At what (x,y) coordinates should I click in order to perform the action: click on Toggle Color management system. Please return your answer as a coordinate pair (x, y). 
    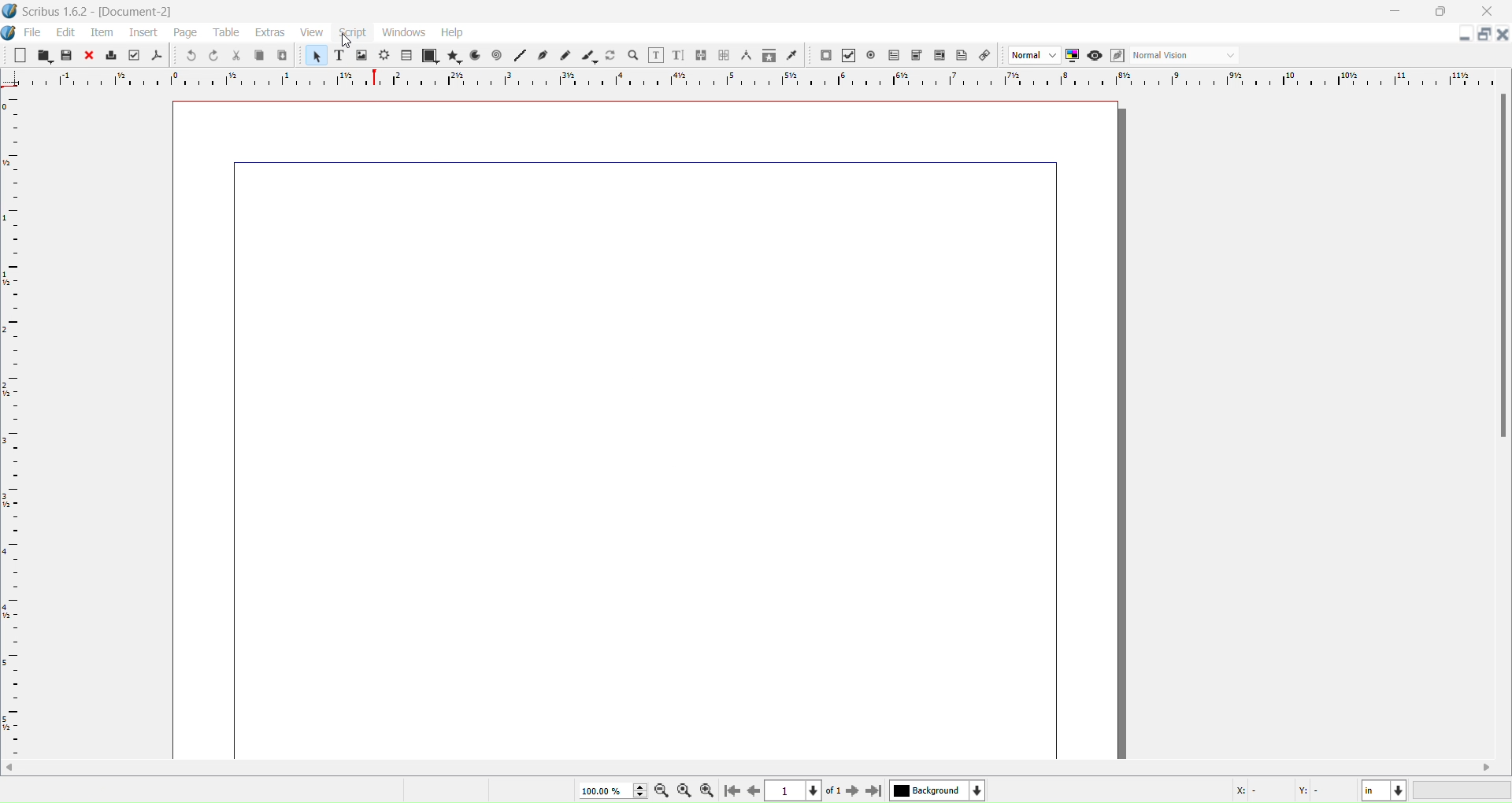
    Looking at the image, I should click on (1073, 56).